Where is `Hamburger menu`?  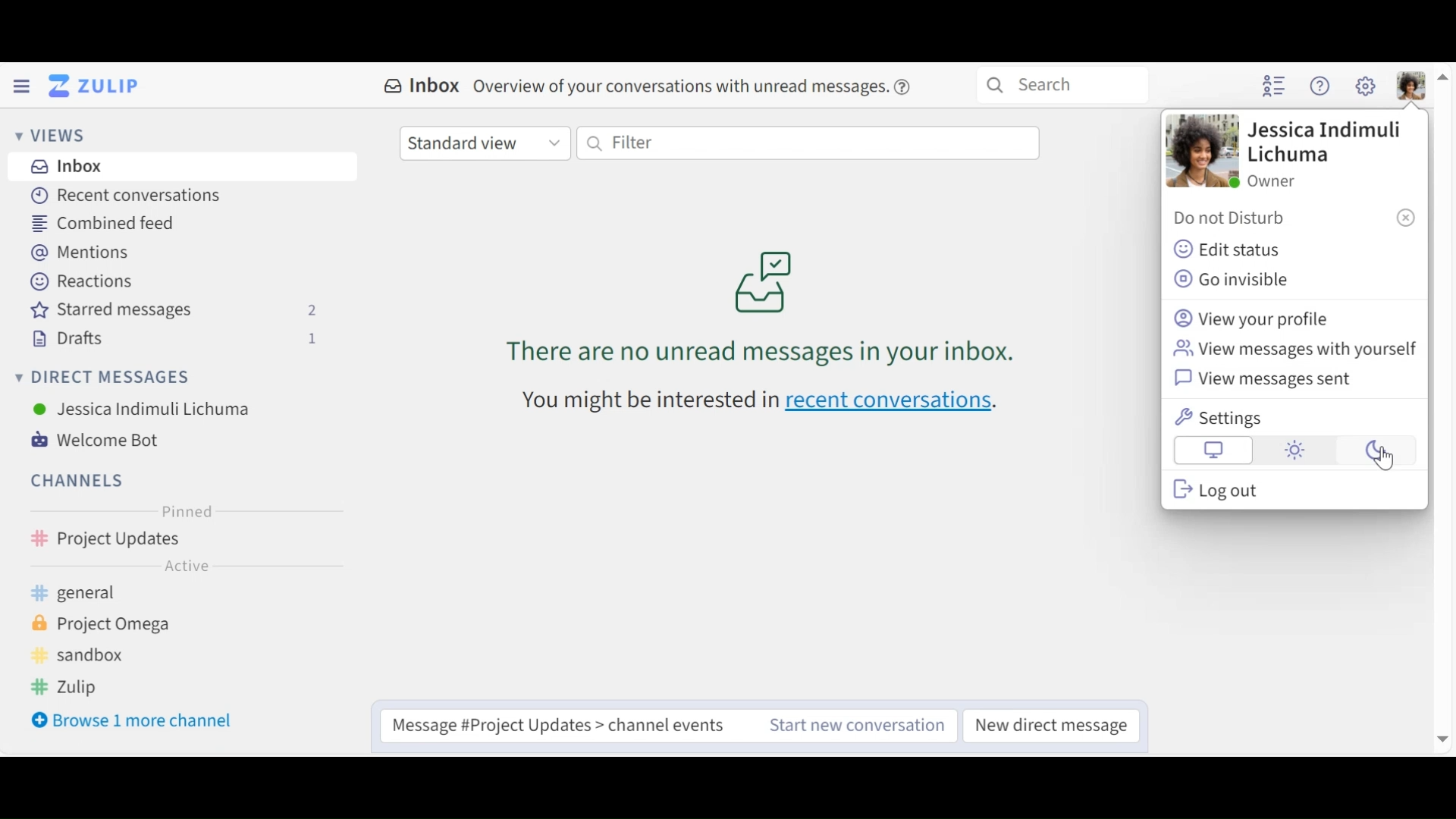
Hamburger menu is located at coordinates (20, 86).